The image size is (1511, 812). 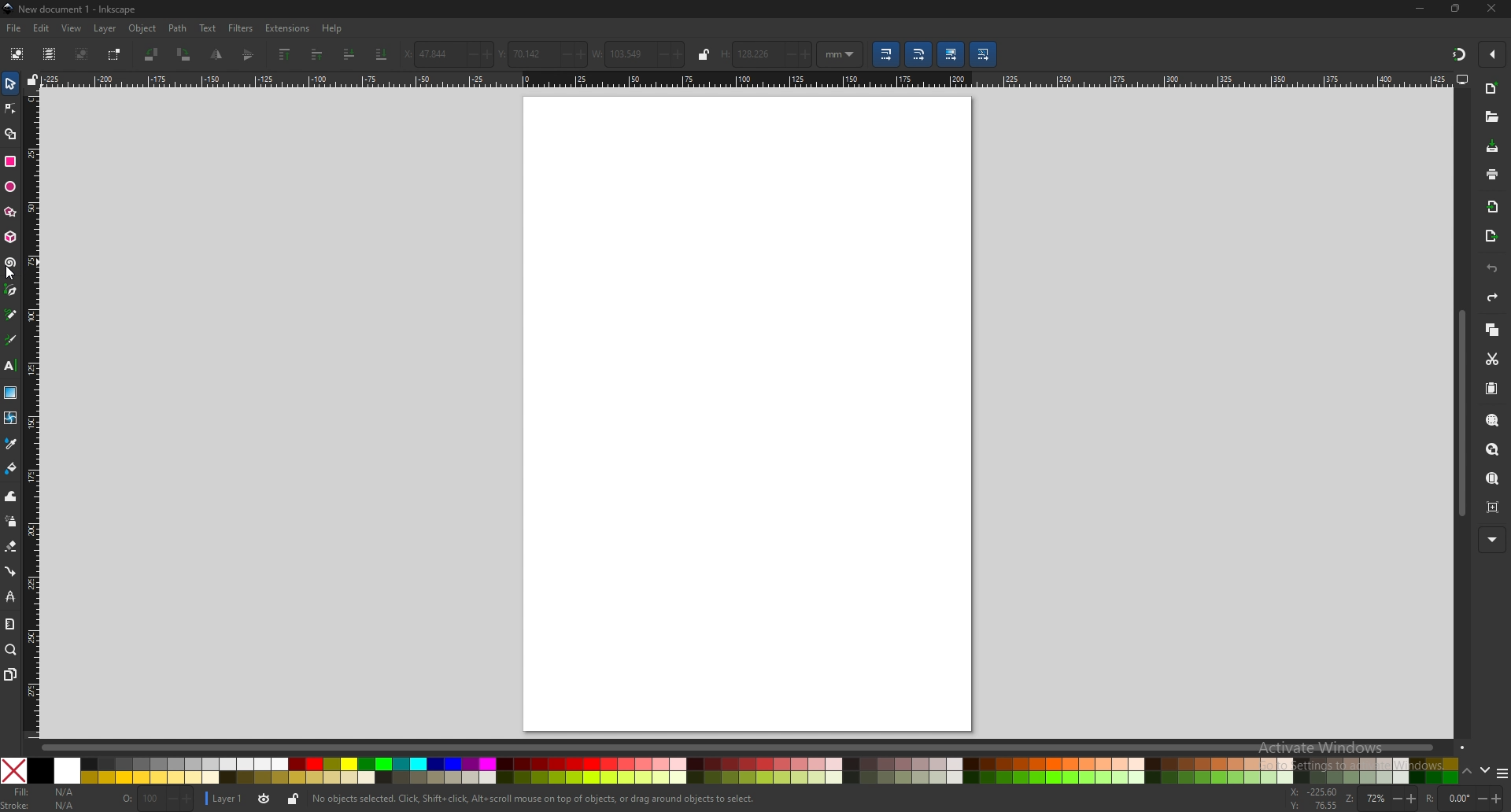 I want to click on raise selection one step, so click(x=319, y=54).